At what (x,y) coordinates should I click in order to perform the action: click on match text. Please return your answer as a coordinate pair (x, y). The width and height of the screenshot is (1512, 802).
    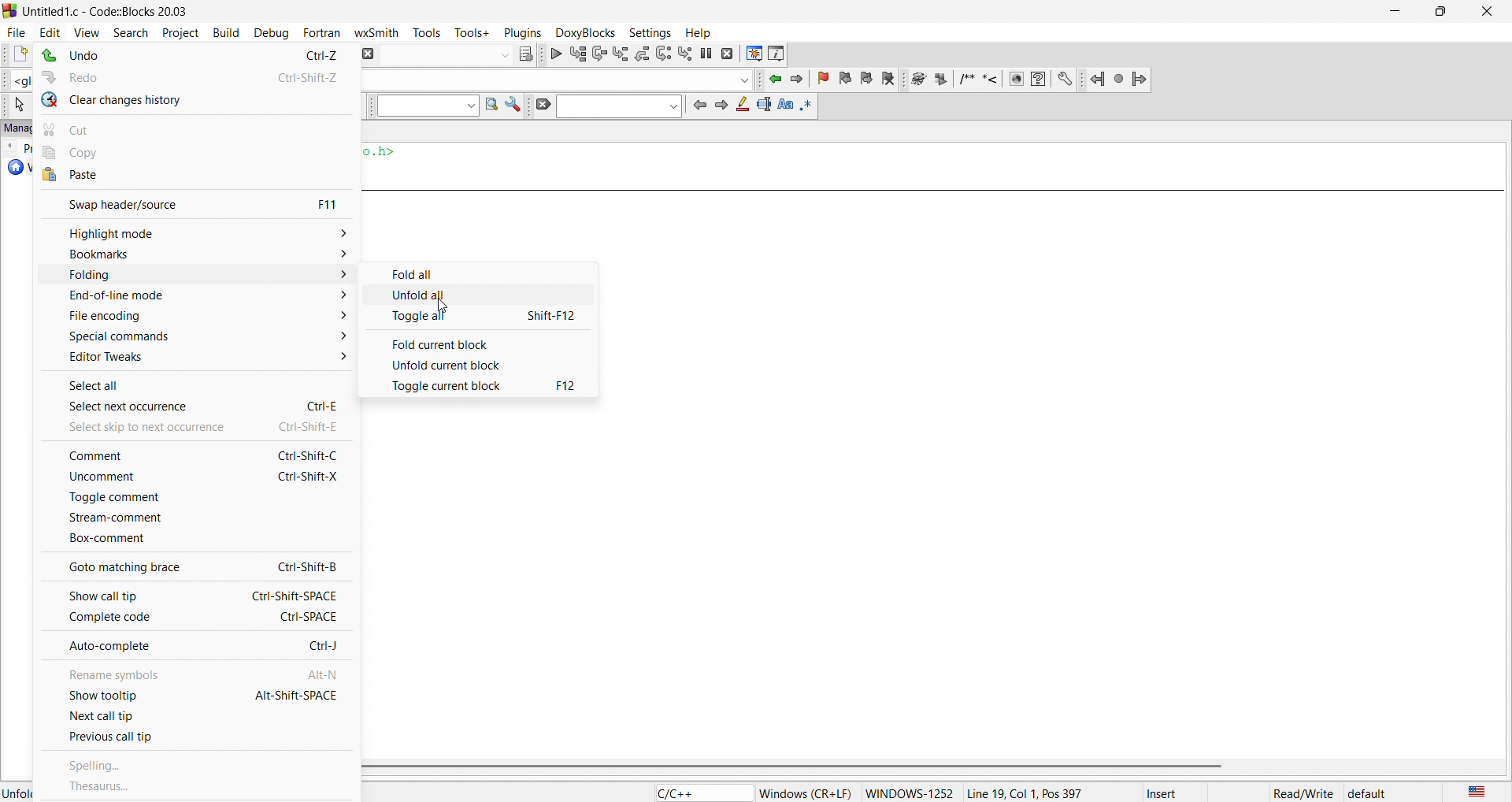
    Looking at the image, I should click on (784, 104).